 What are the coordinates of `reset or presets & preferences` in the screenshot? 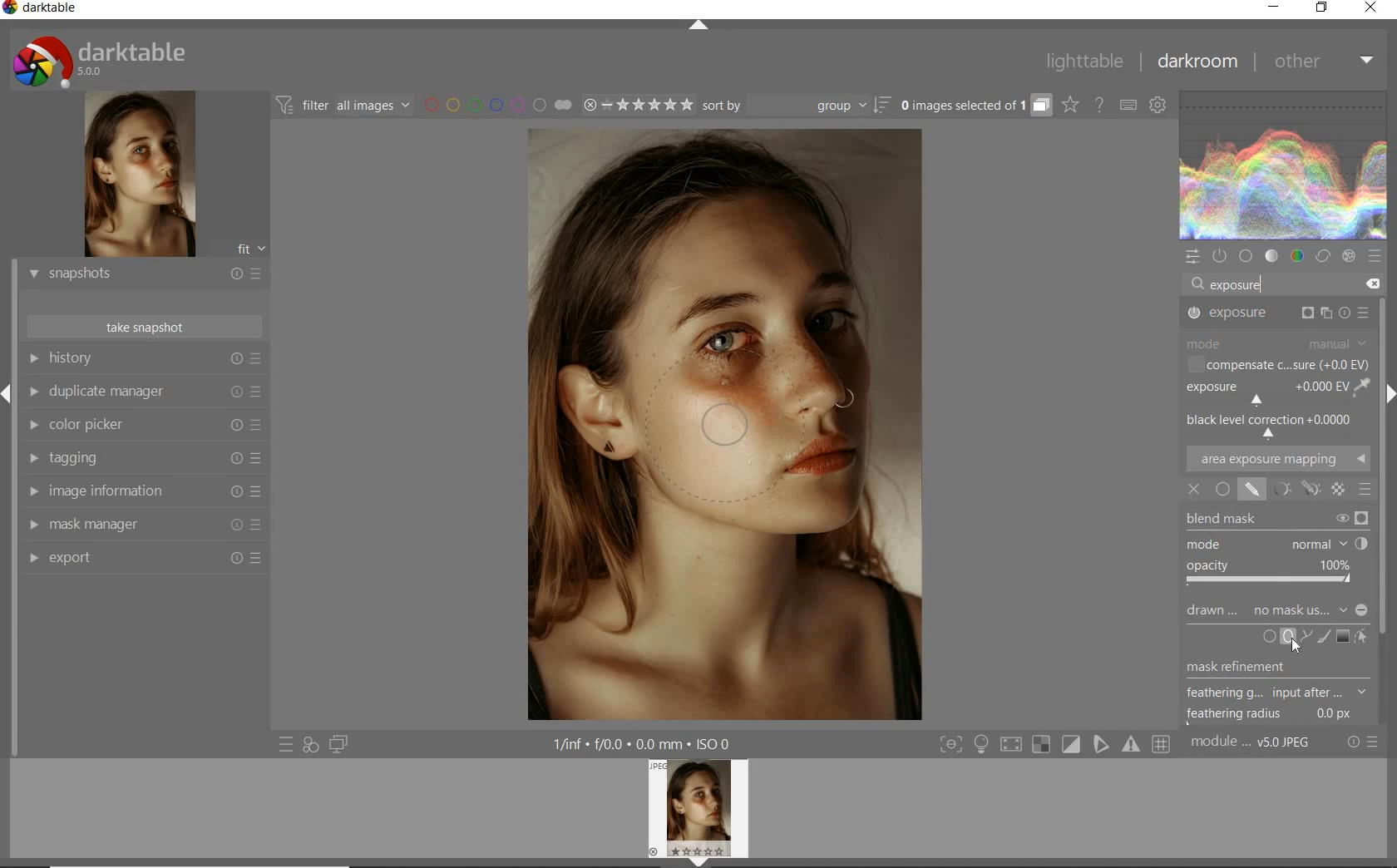 It's located at (1363, 744).